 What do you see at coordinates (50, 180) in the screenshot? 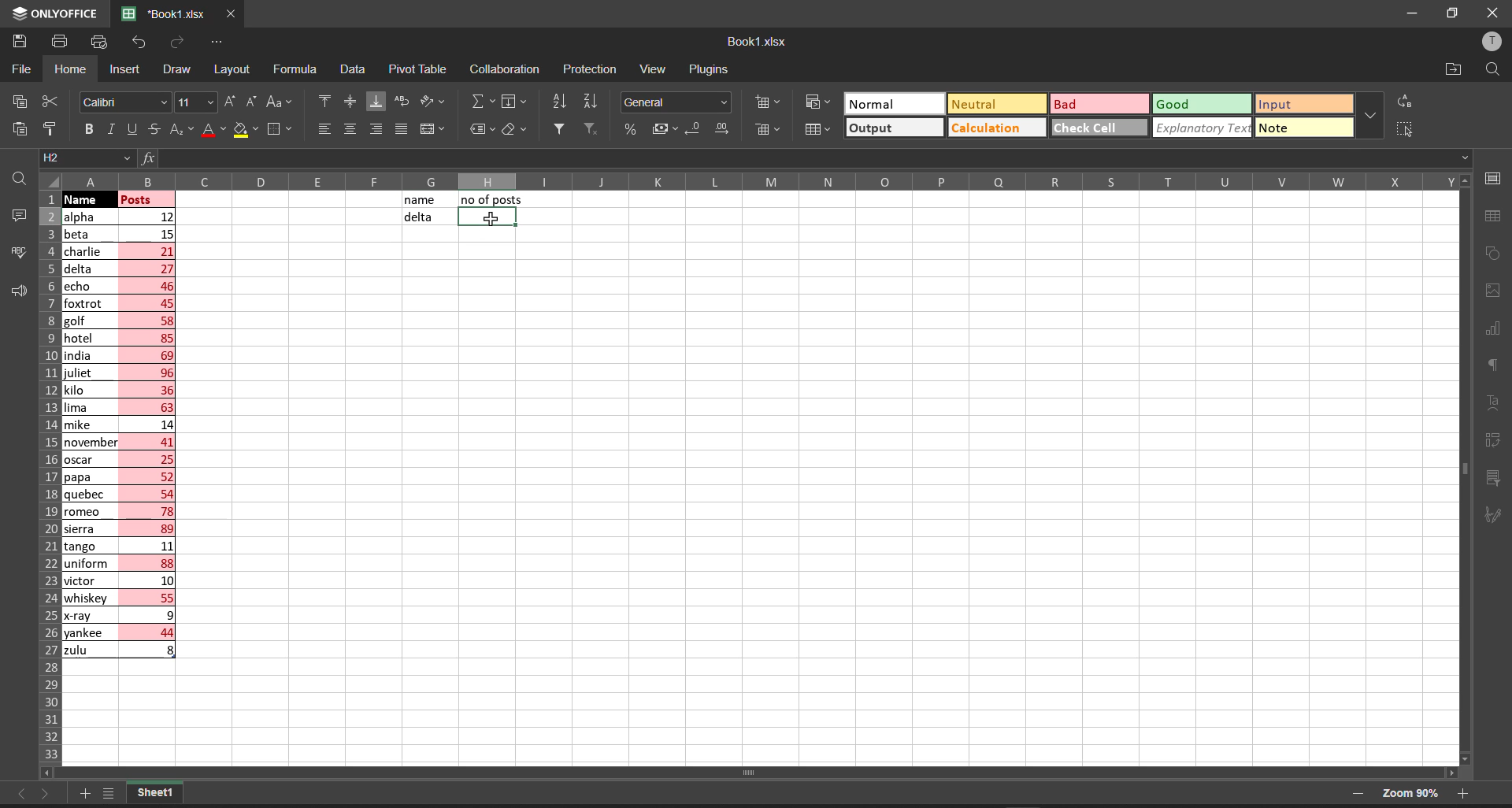
I see `select all` at bounding box center [50, 180].